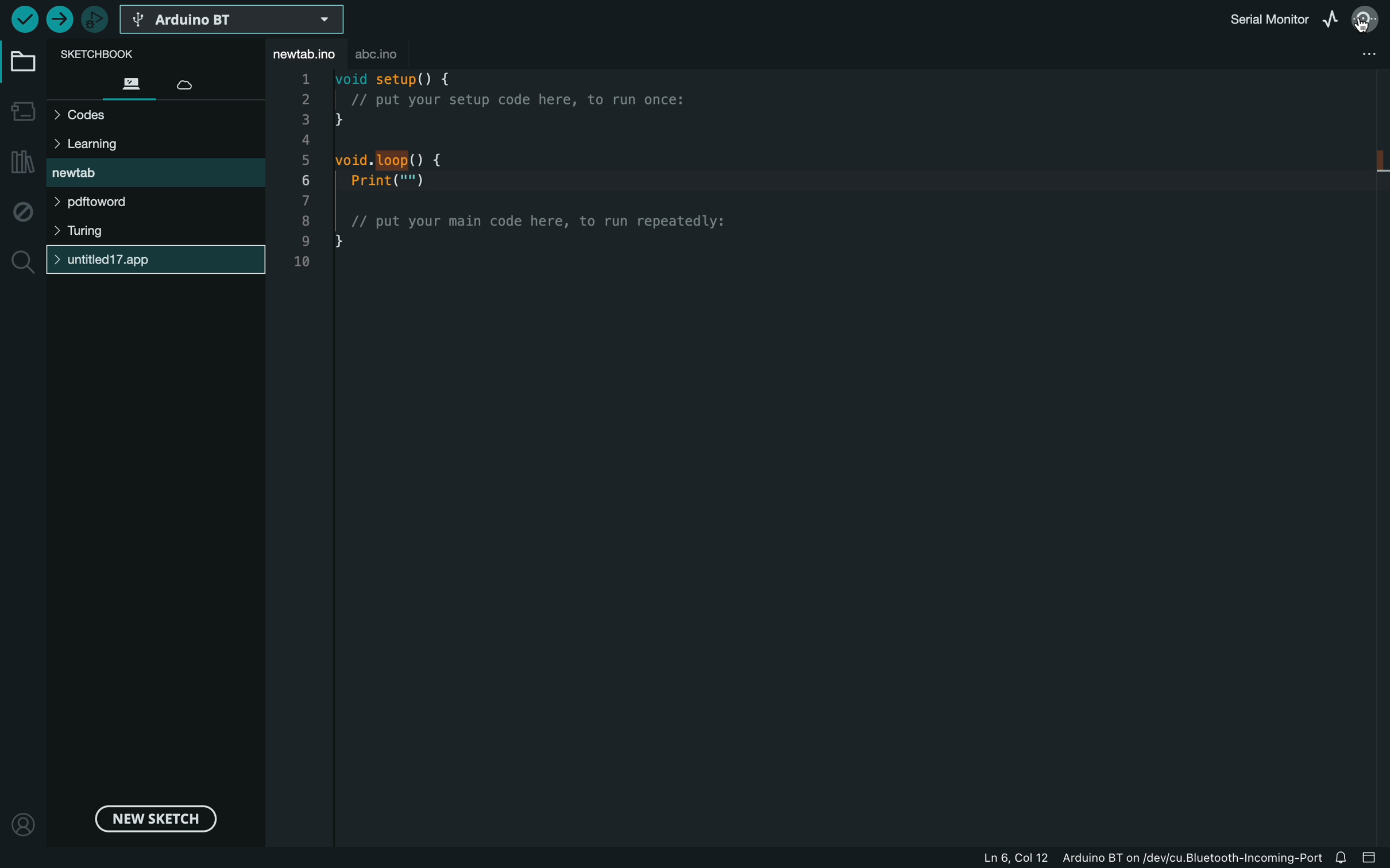 This screenshot has width=1390, height=868. What do you see at coordinates (1365, 18) in the screenshot?
I see `serial monitor` at bounding box center [1365, 18].